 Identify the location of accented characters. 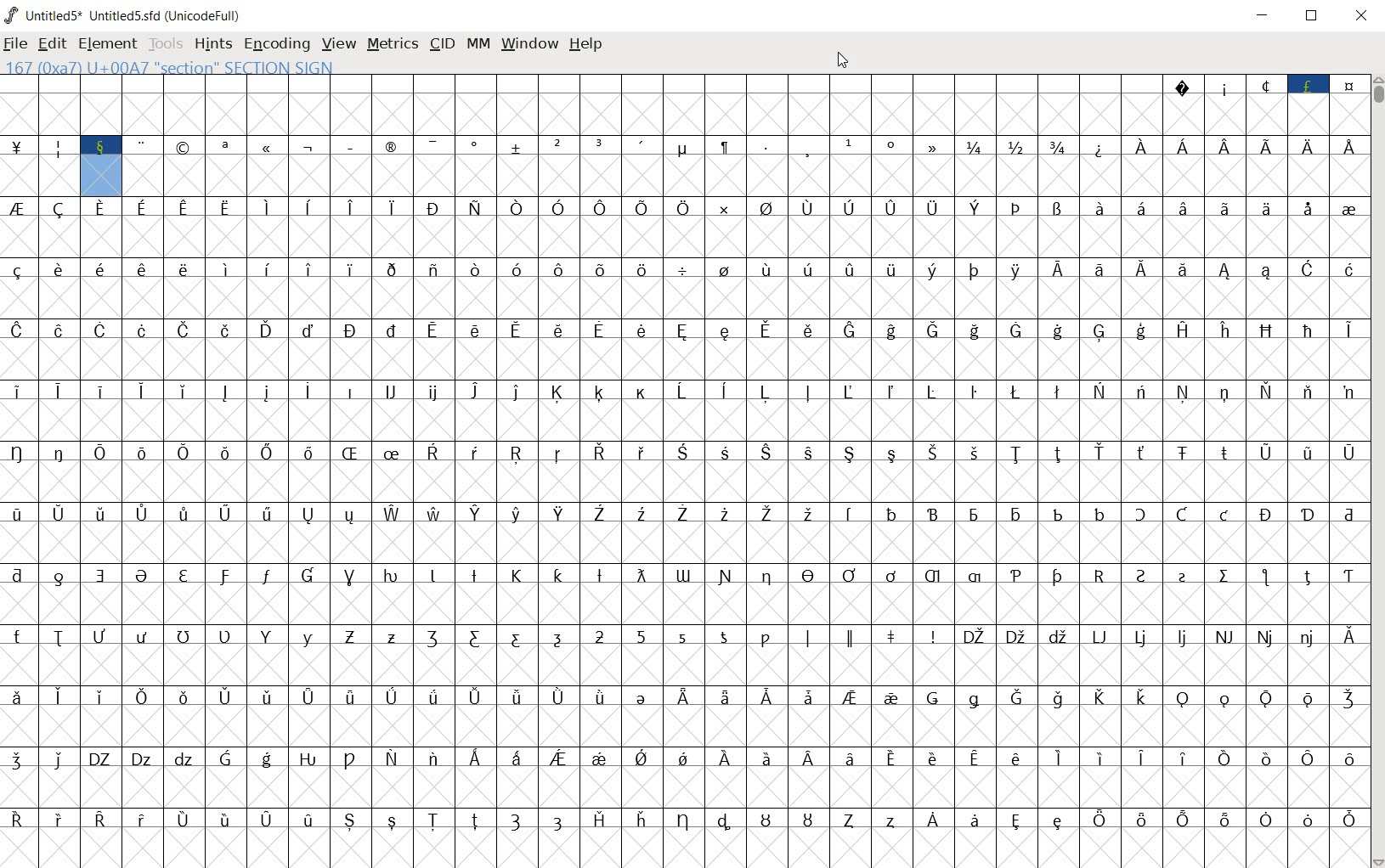
(889, 533).